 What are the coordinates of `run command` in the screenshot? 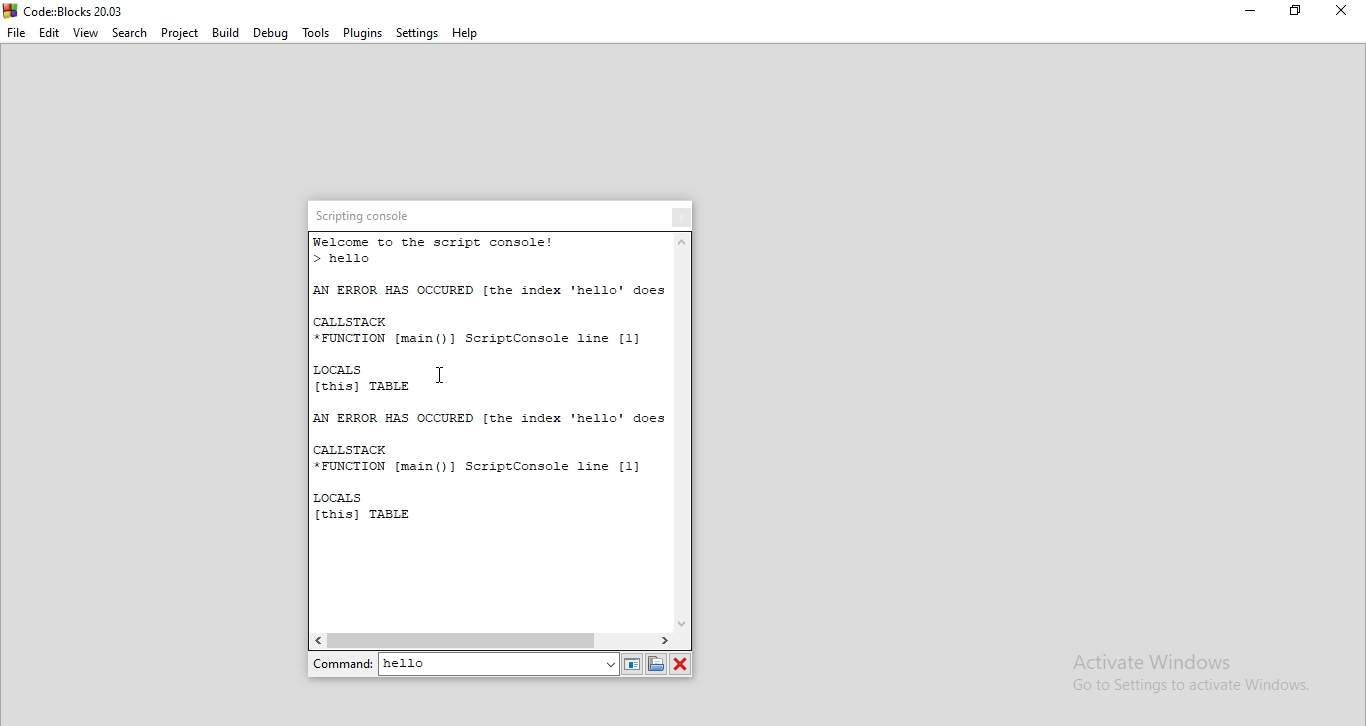 It's located at (633, 664).